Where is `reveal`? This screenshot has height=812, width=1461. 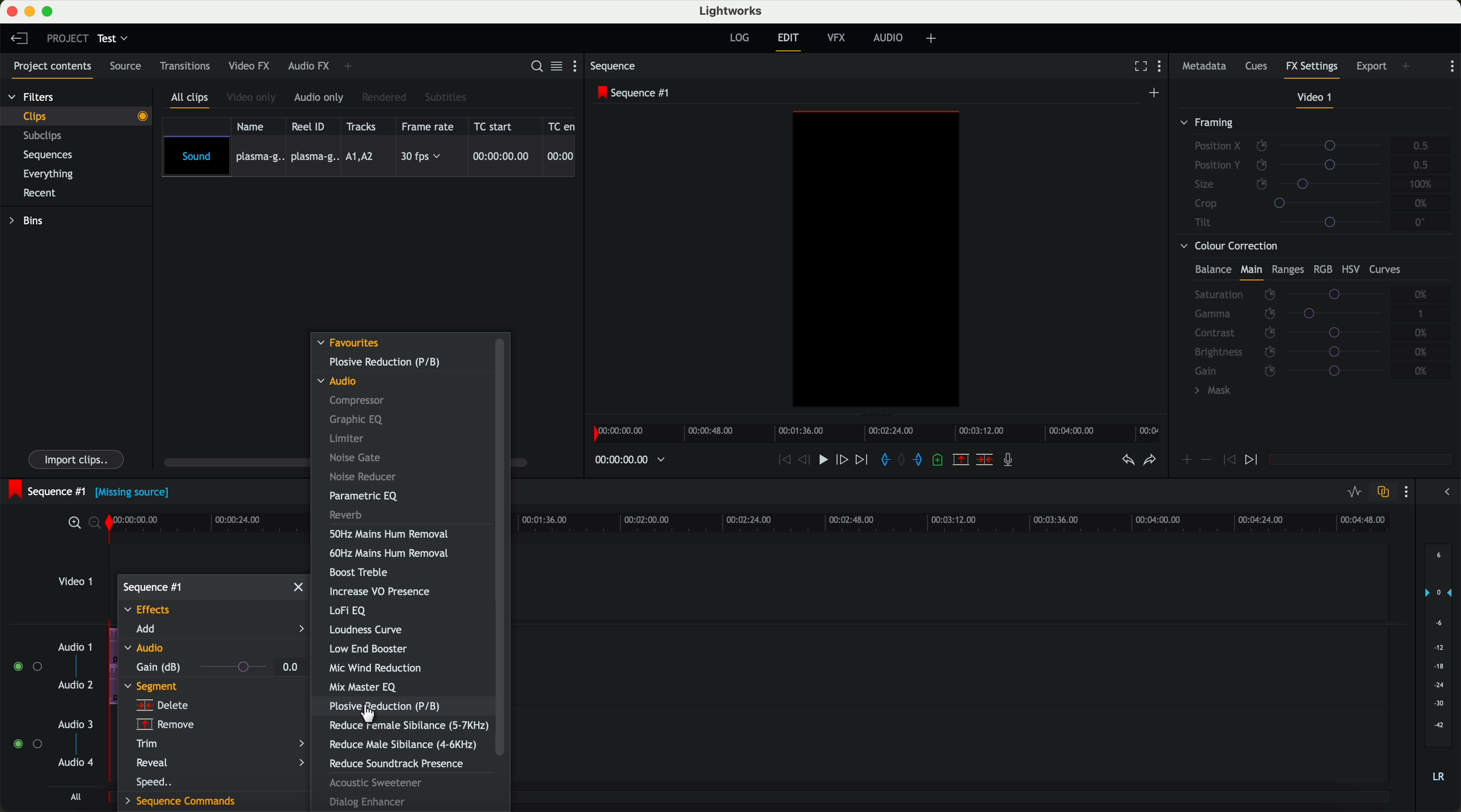 reveal is located at coordinates (220, 763).